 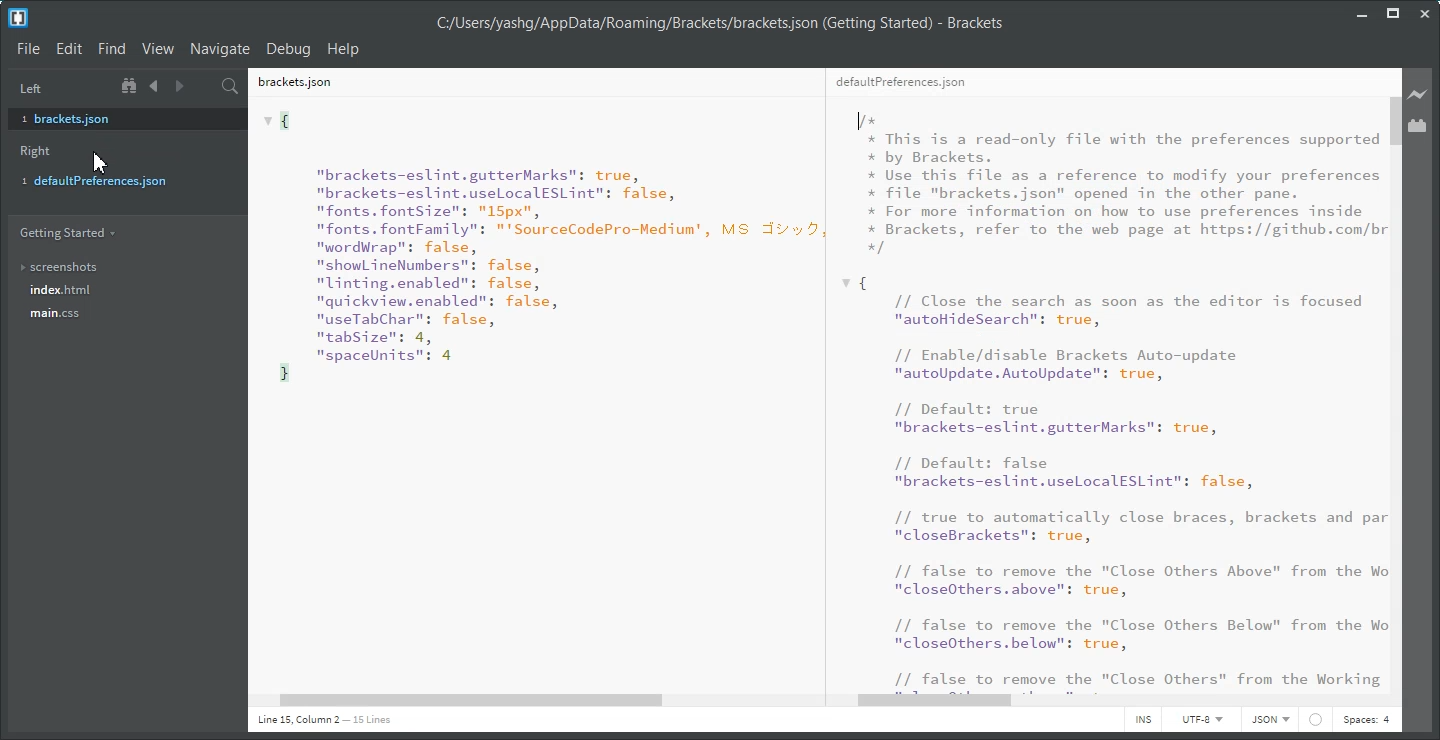 What do you see at coordinates (1201, 721) in the screenshot?
I see `UTF-8` at bounding box center [1201, 721].